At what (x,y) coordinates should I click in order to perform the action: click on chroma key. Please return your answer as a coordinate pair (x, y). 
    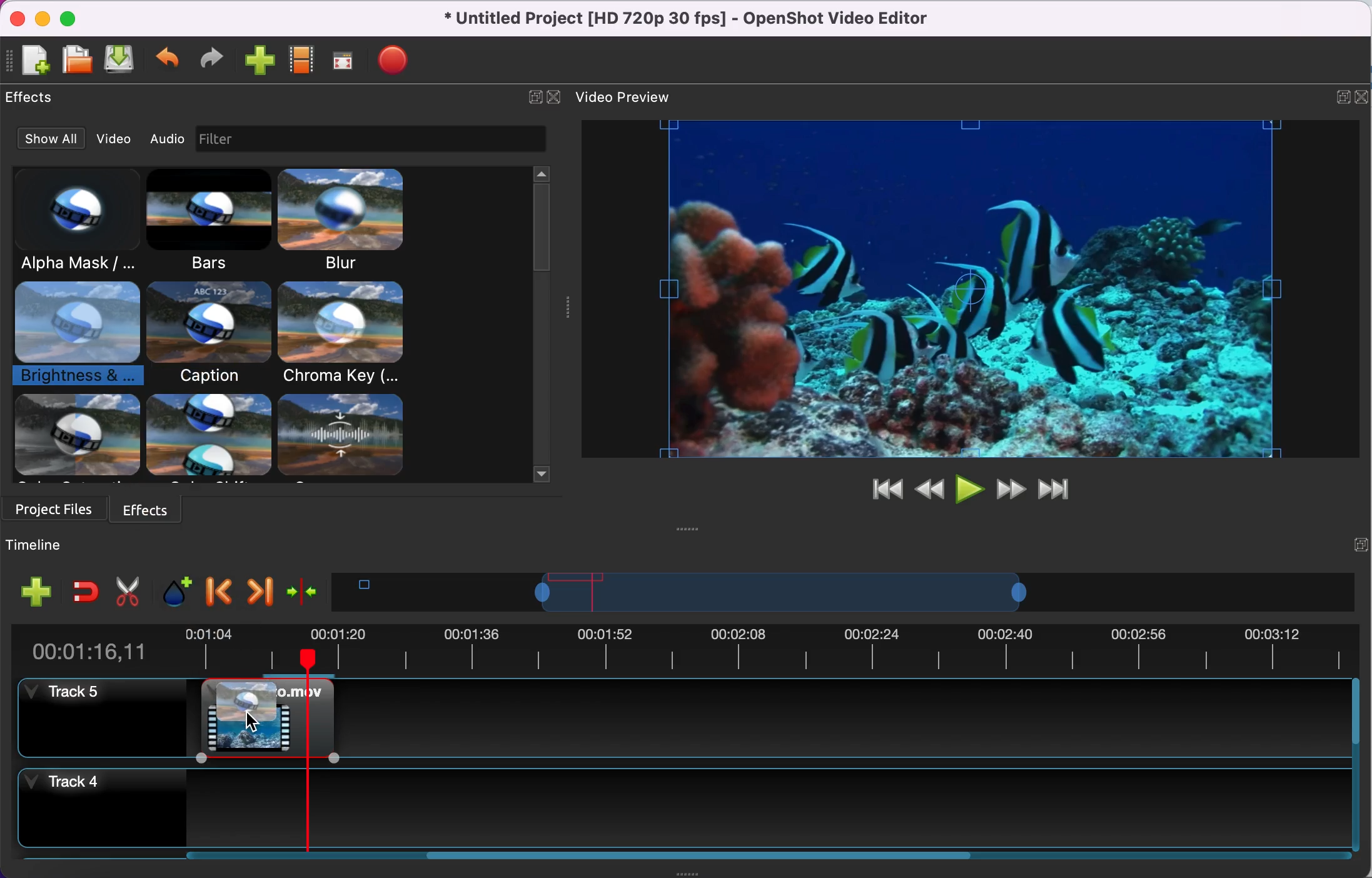
    Looking at the image, I should click on (345, 335).